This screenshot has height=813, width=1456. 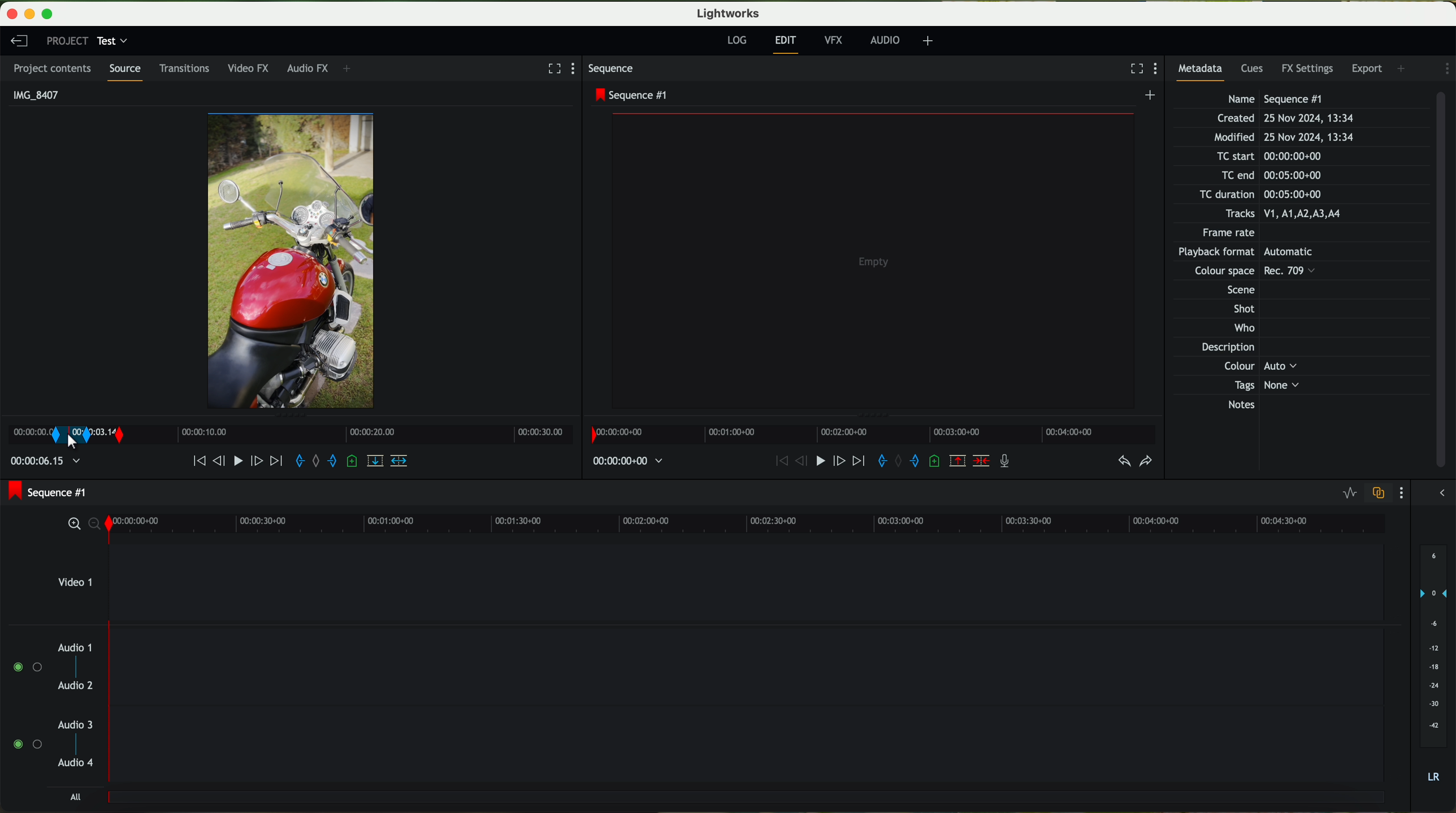 What do you see at coordinates (36, 435) in the screenshot?
I see `mark` at bounding box center [36, 435].